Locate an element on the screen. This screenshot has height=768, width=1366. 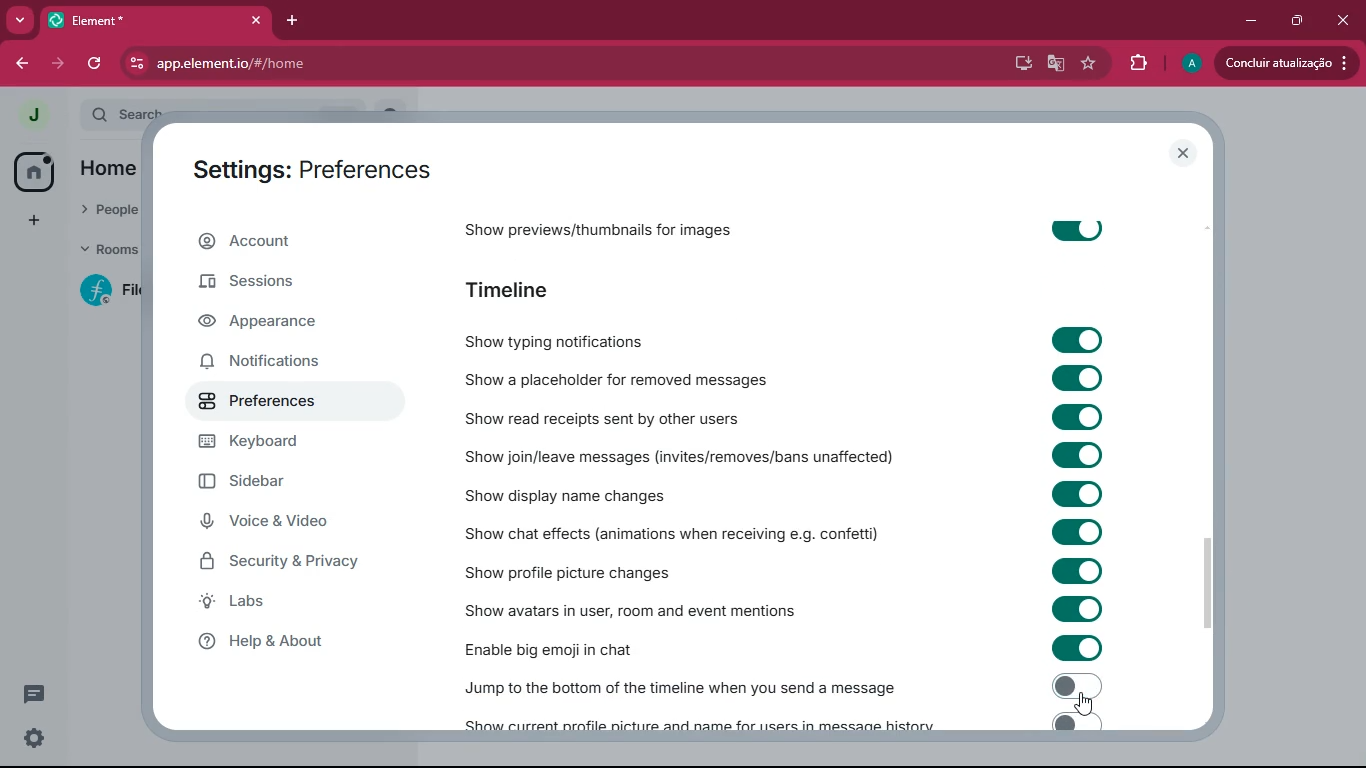
show read receipts sent by other users is located at coordinates (636, 416).